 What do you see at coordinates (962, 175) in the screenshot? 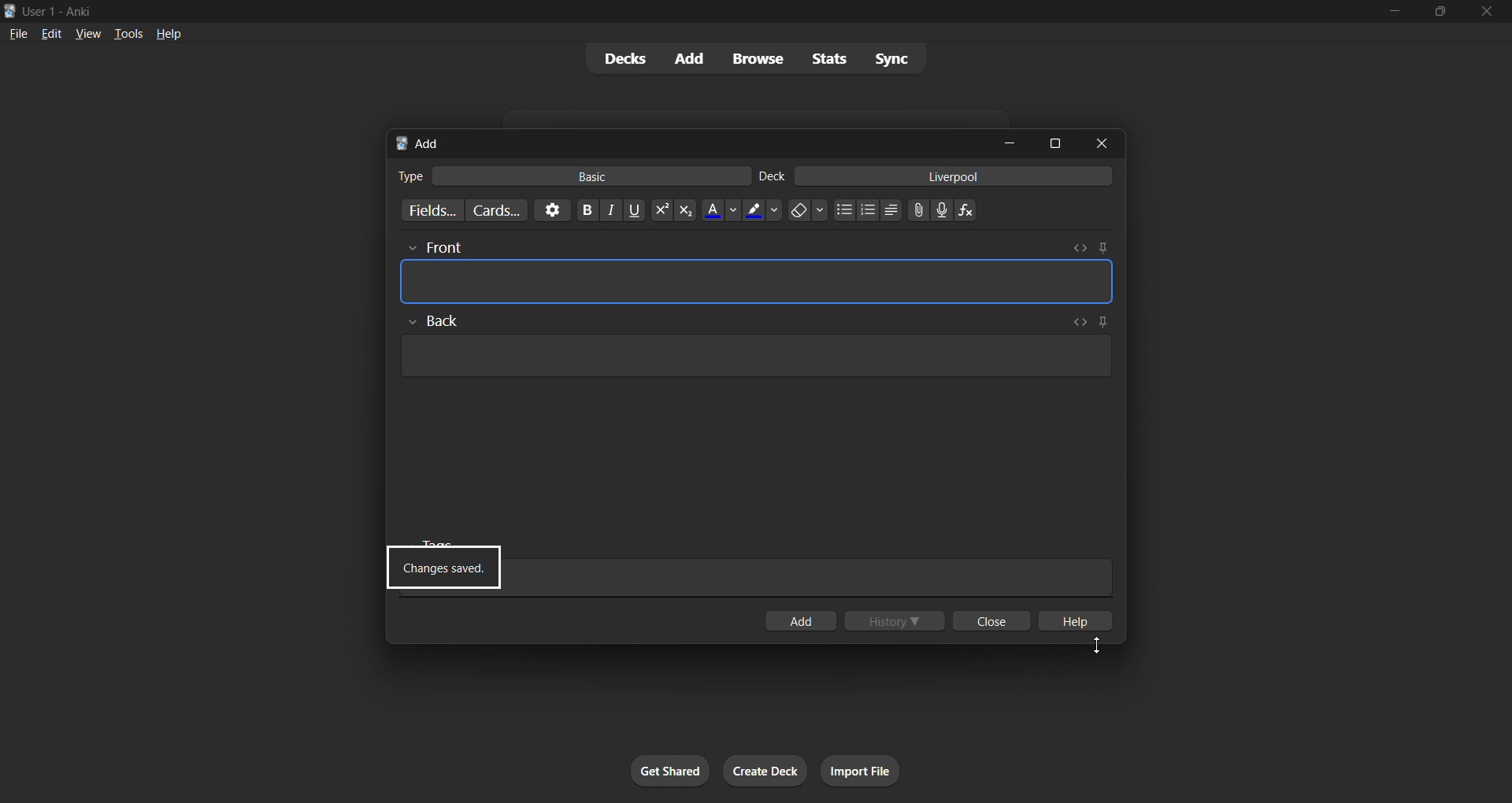
I see `liverpool` at bounding box center [962, 175].